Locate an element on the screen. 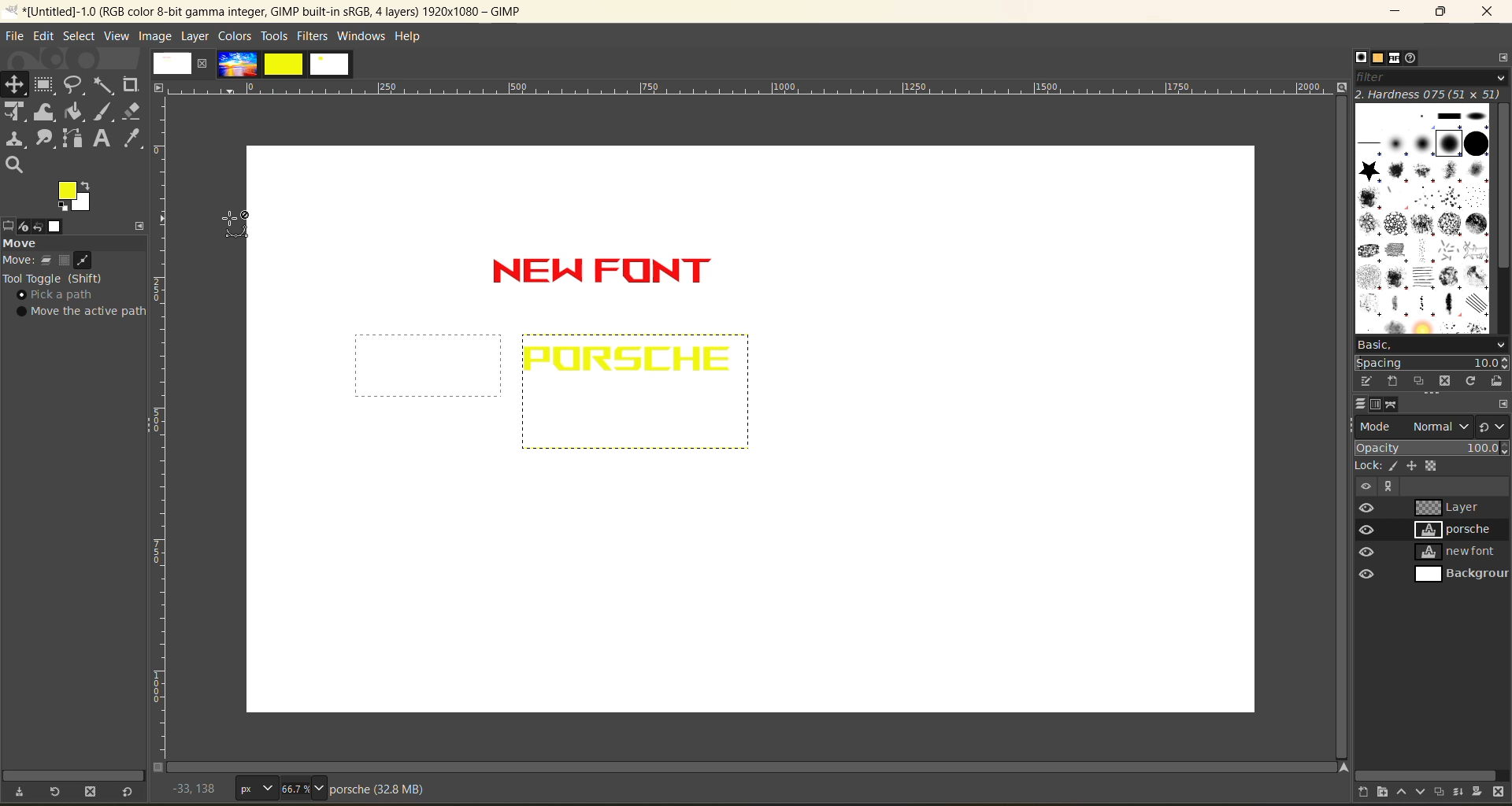 The width and height of the screenshot is (1512, 806). move is located at coordinates (71, 267).